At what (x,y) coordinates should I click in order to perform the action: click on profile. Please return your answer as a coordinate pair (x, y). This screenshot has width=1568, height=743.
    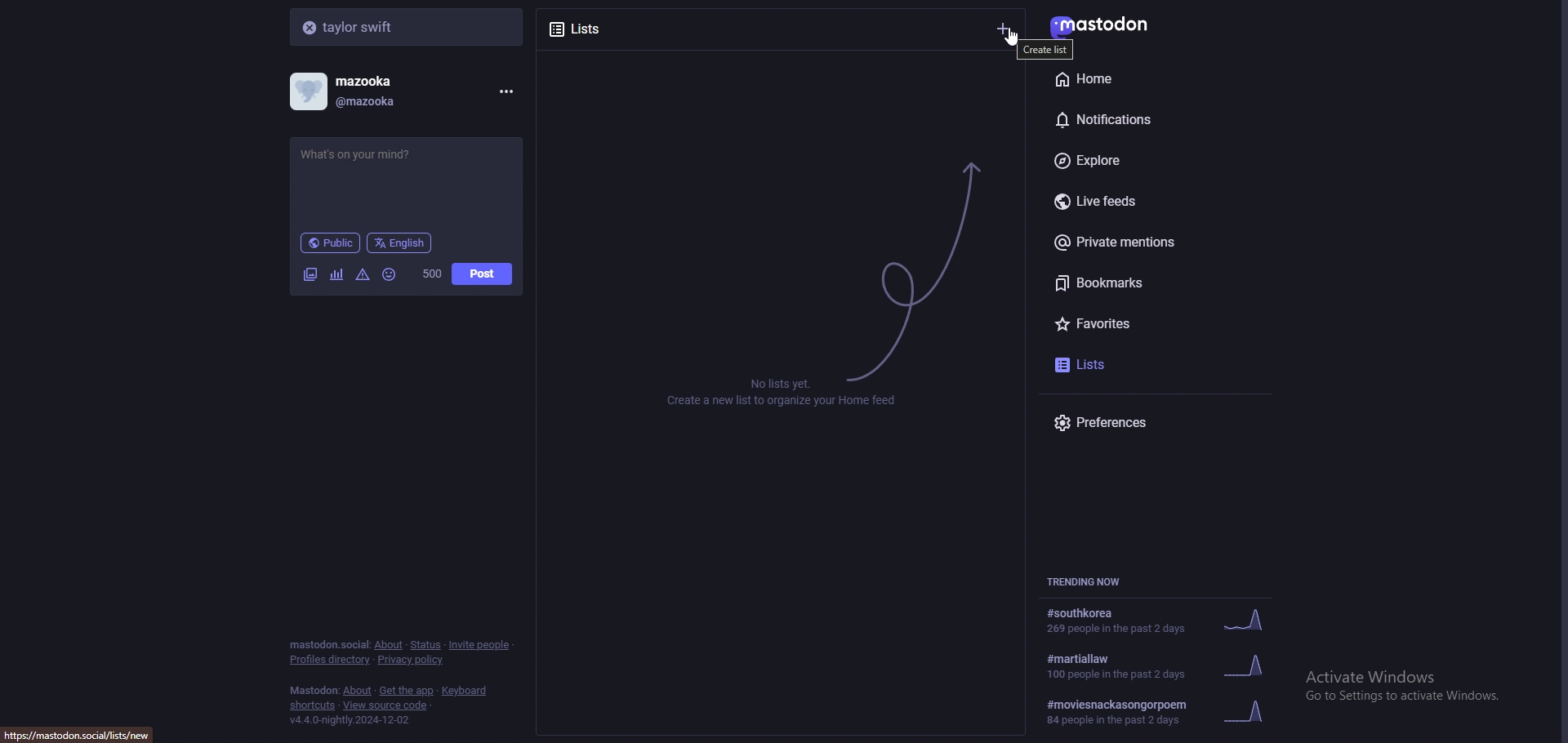
    Looking at the image, I should click on (356, 91).